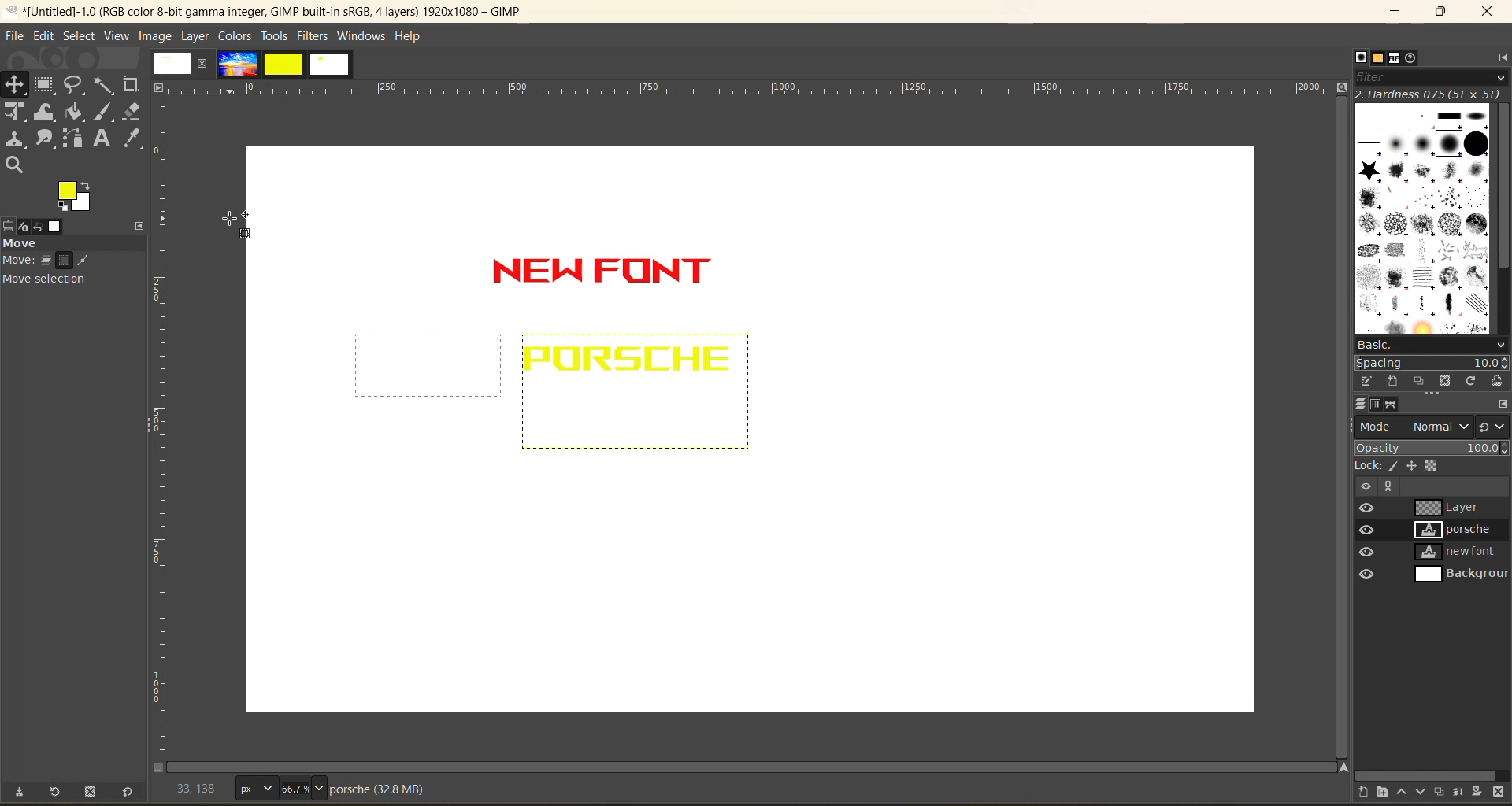 Image resolution: width=1512 pixels, height=806 pixels. What do you see at coordinates (1467, 381) in the screenshot?
I see `refresh brushes` at bounding box center [1467, 381].